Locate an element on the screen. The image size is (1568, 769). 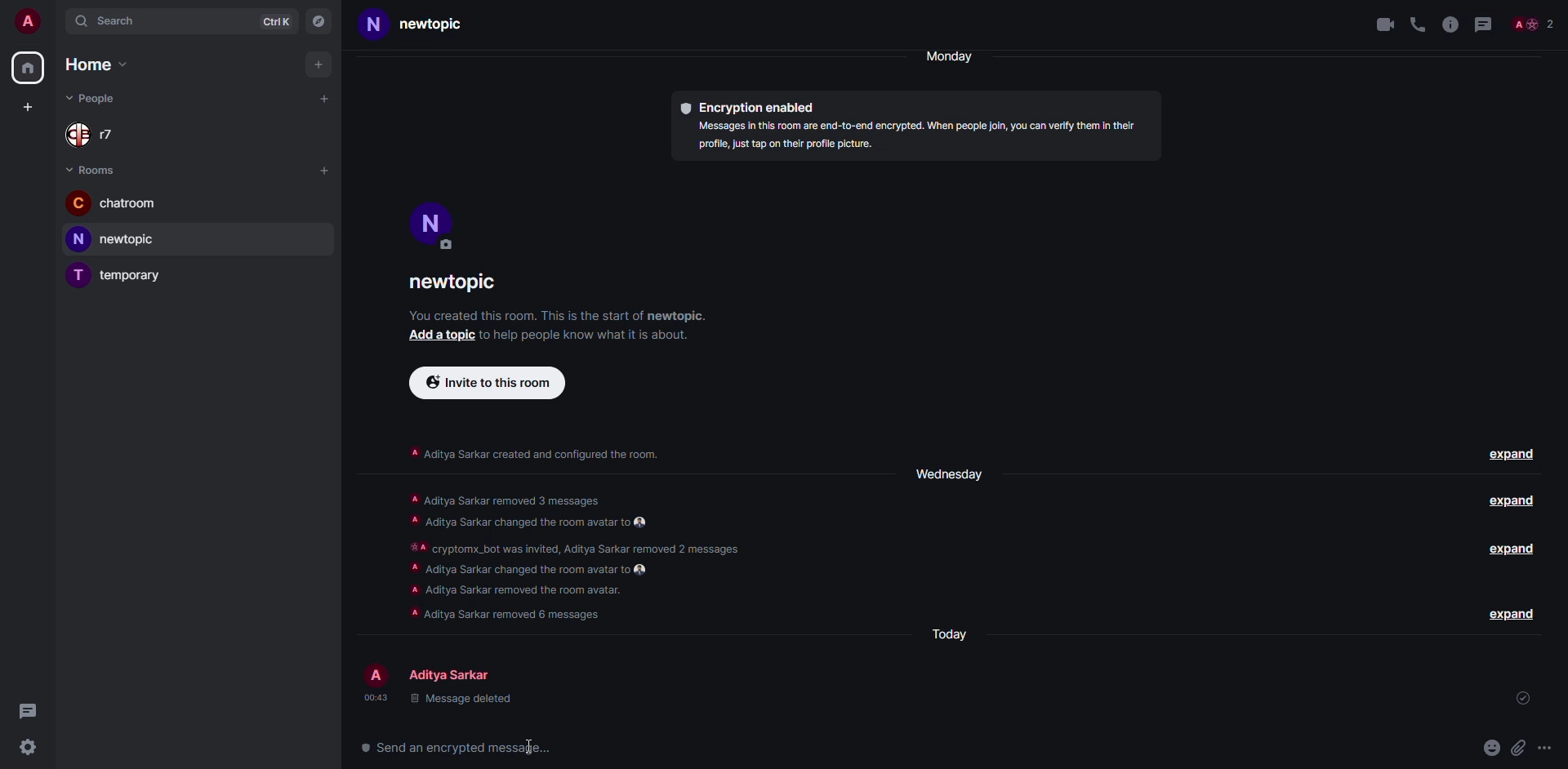
attach is located at coordinates (1521, 747).